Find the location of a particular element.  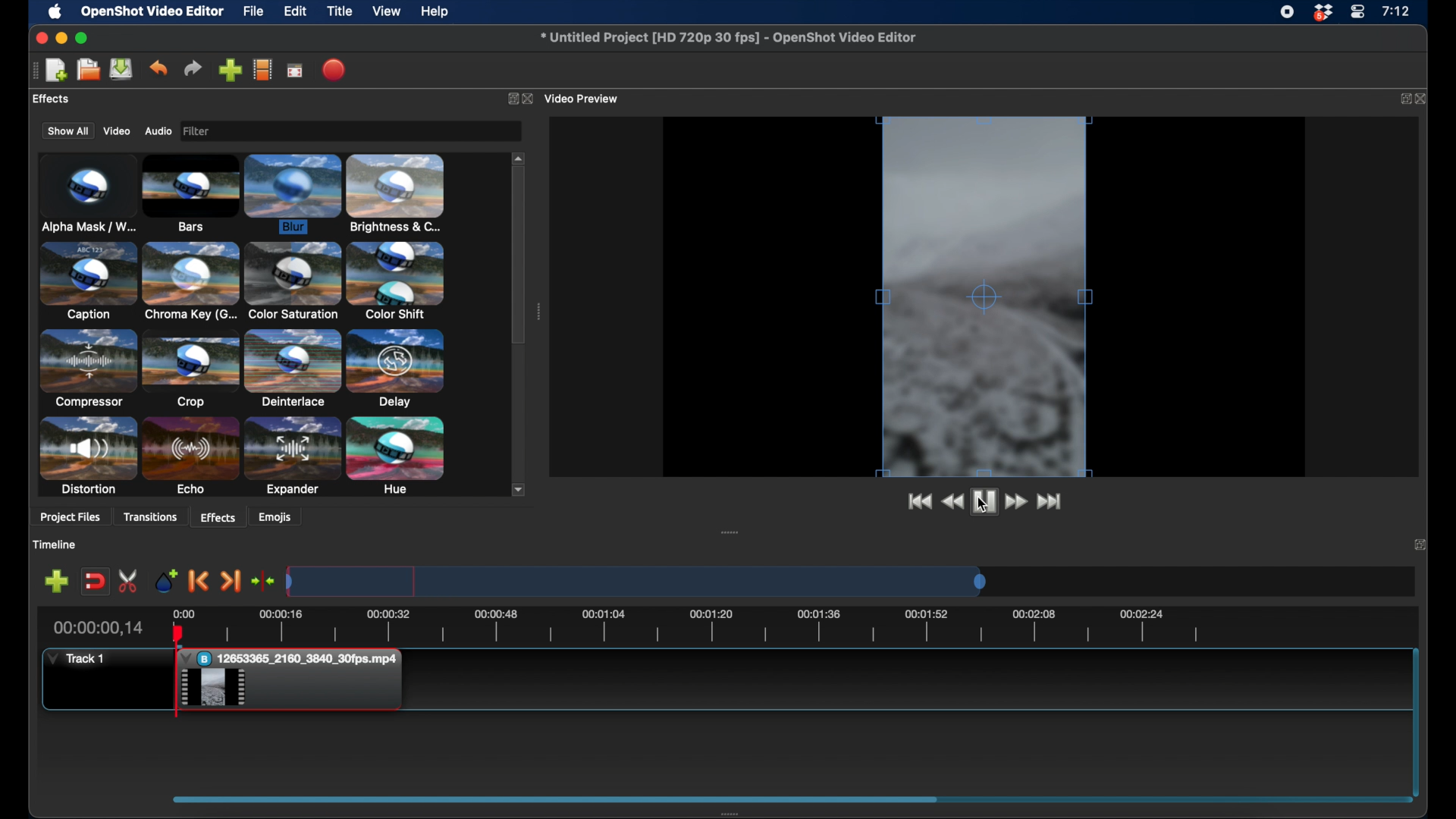

timeline scale is located at coordinates (637, 581).